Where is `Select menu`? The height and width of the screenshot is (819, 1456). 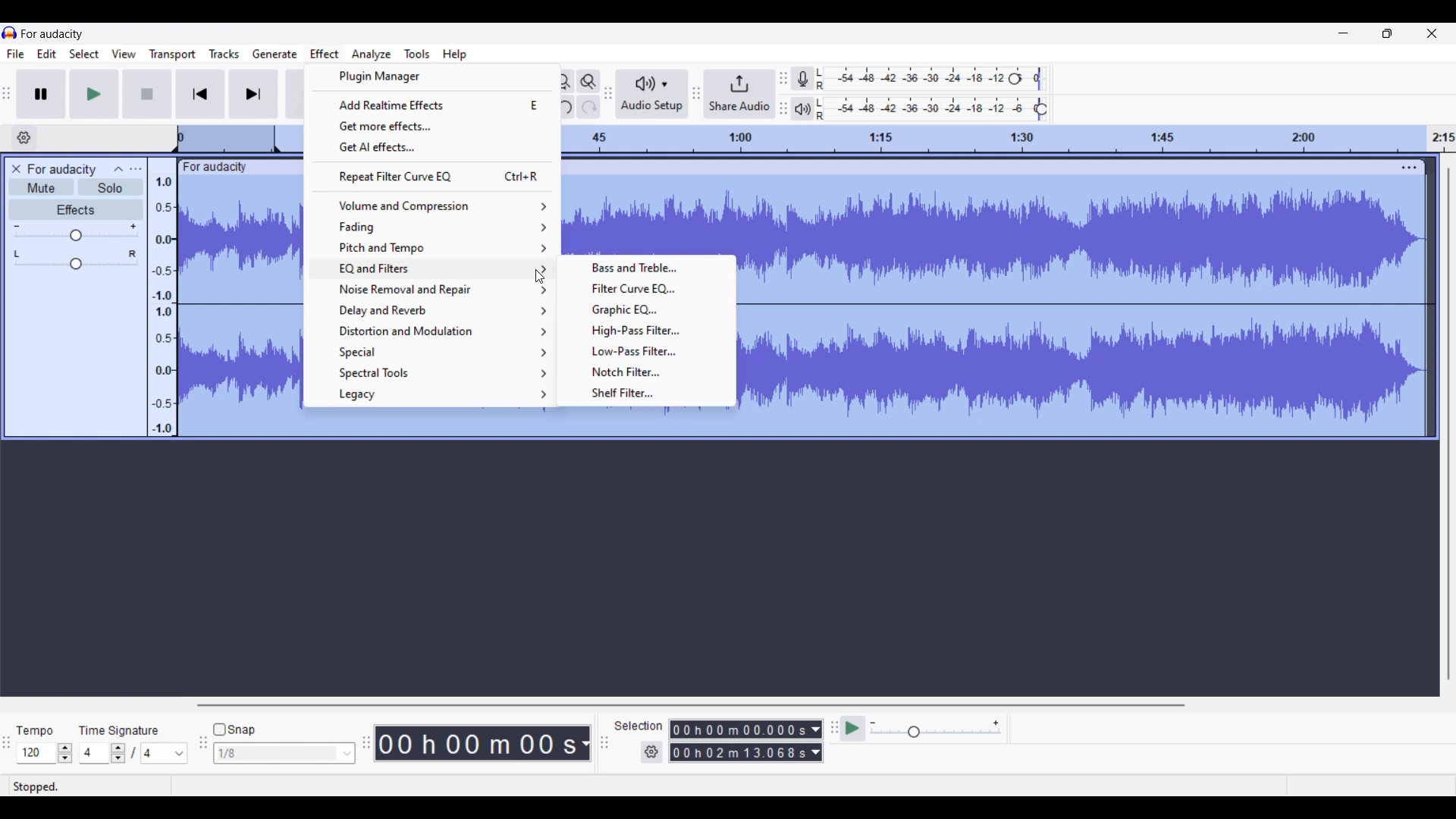 Select menu is located at coordinates (84, 55).